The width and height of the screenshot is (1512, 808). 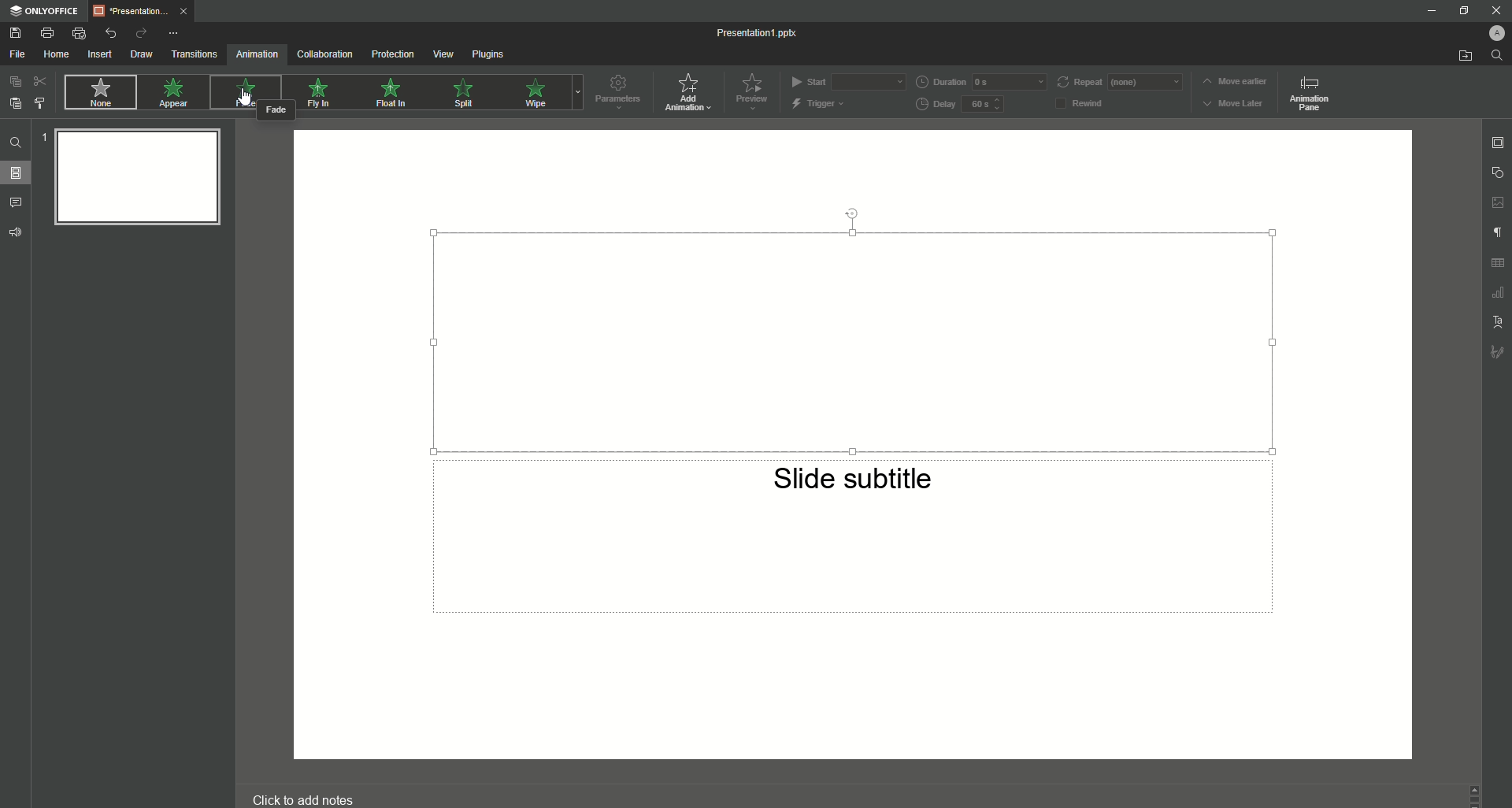 What do you see at coordinates (1234, 105) in the screenshot?
I see `Move Later` at bounding box center [1234, 105].